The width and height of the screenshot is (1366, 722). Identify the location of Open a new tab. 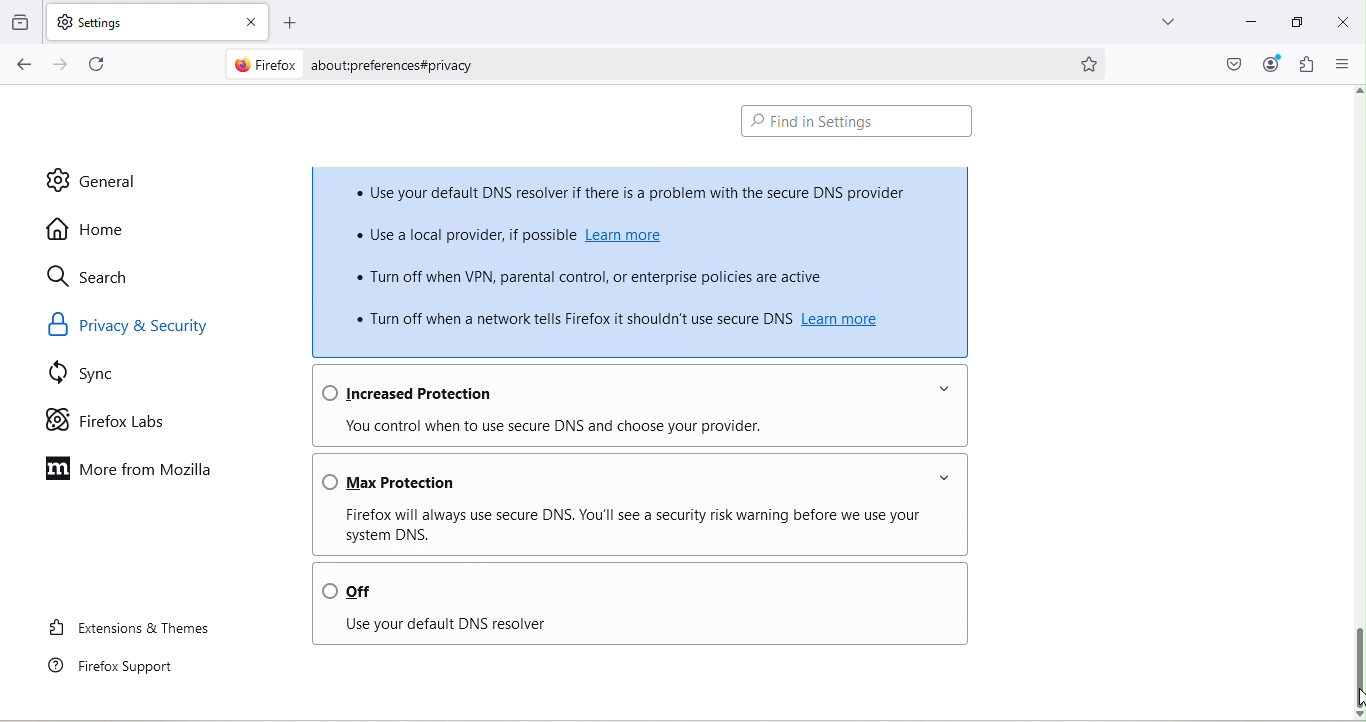
(287, 19).